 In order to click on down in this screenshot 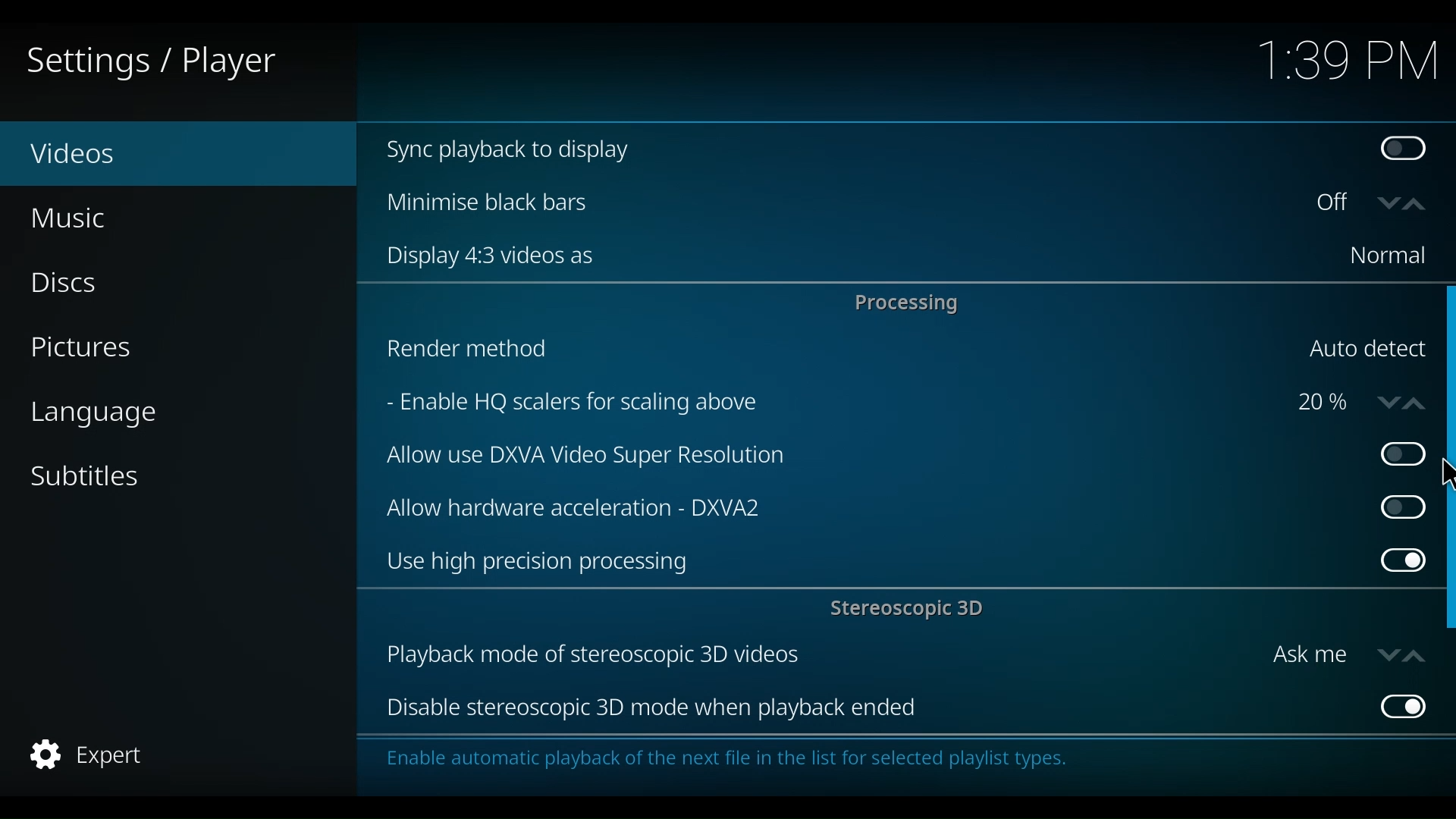, I will do `click(1386, 654)`.